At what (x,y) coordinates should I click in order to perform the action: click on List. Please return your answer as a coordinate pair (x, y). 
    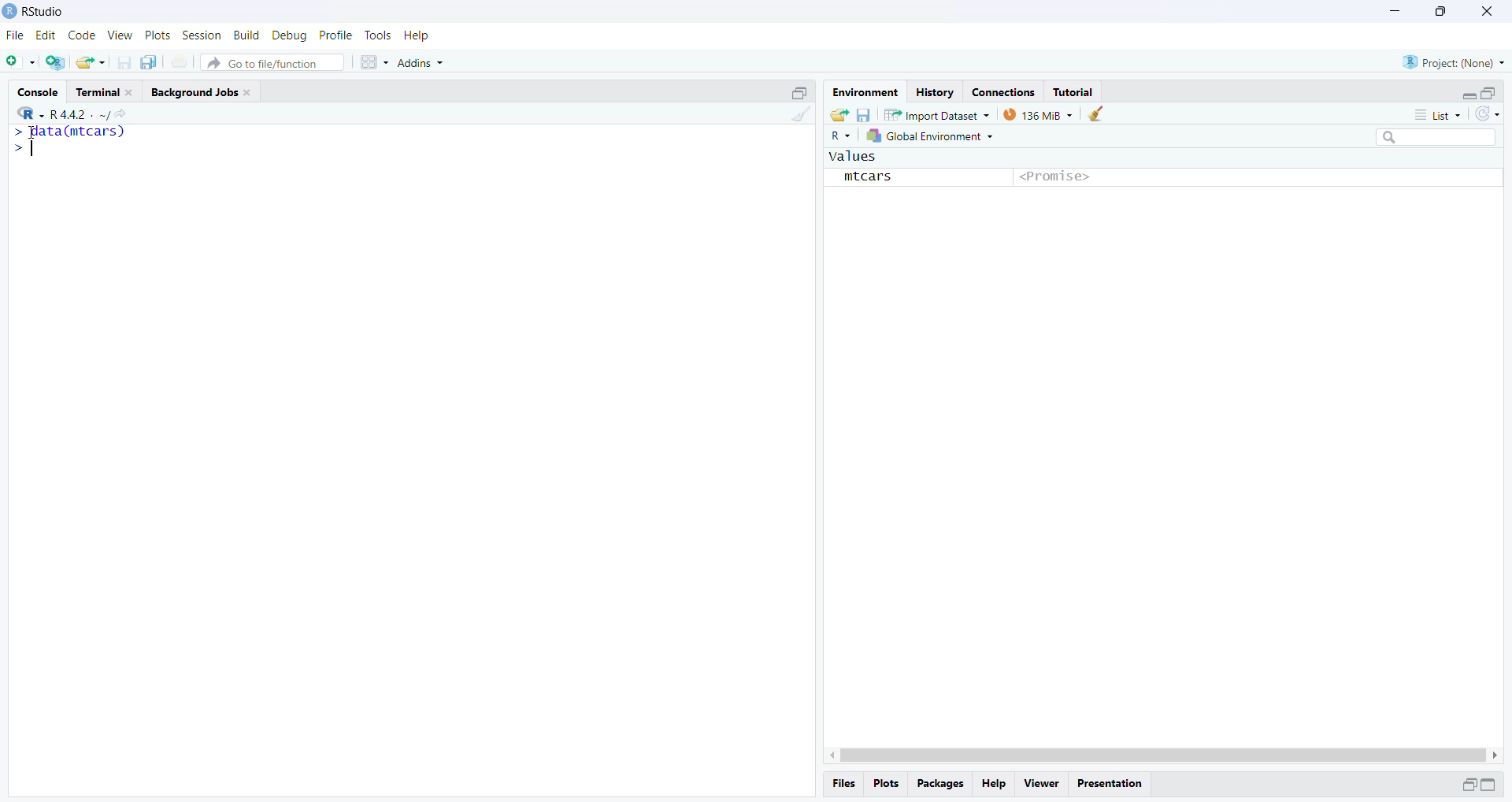
    Looking at the image, I should click on (1441, 115).